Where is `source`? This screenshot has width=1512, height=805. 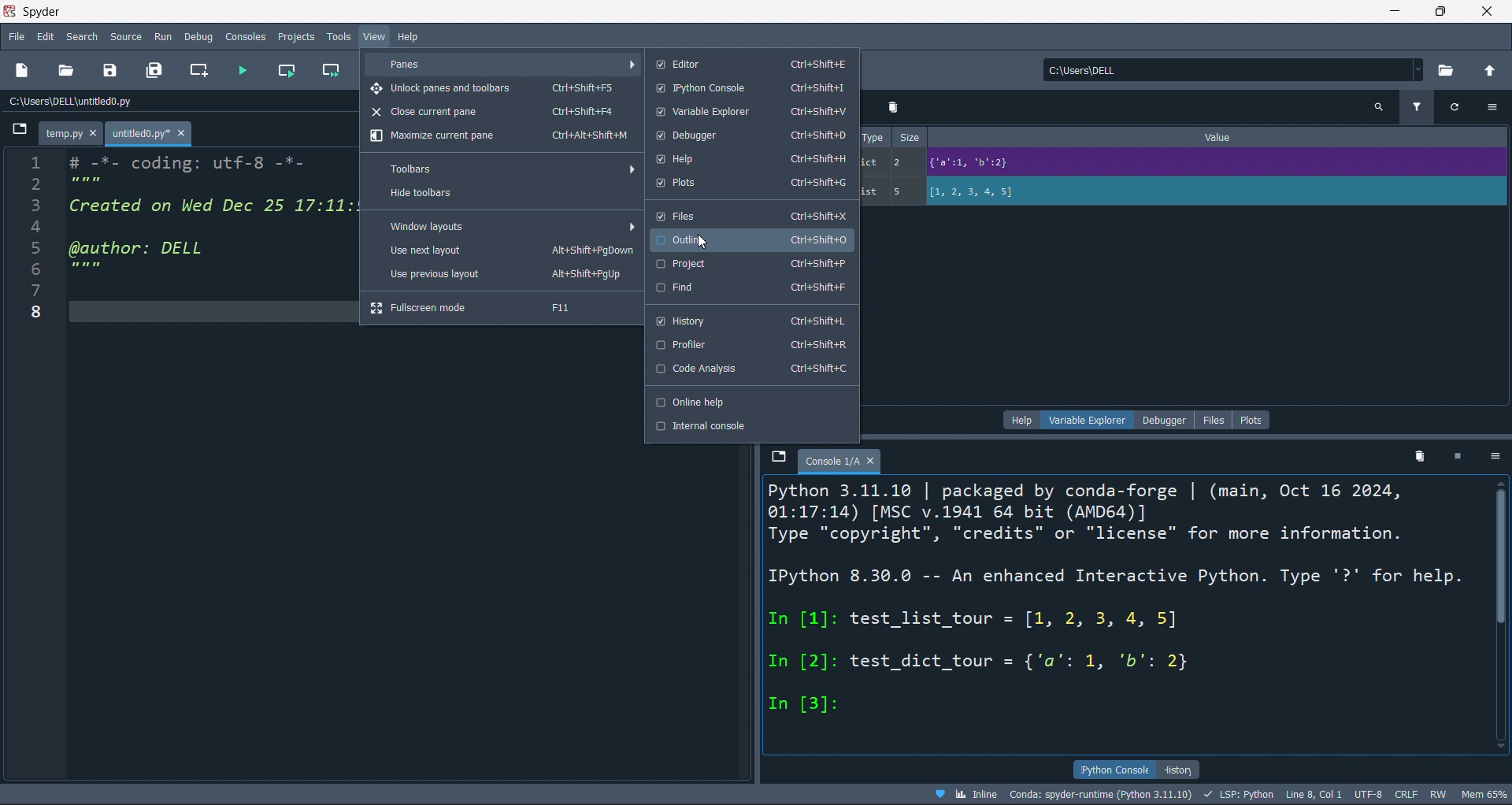 source is located at coordinates (124, 37).